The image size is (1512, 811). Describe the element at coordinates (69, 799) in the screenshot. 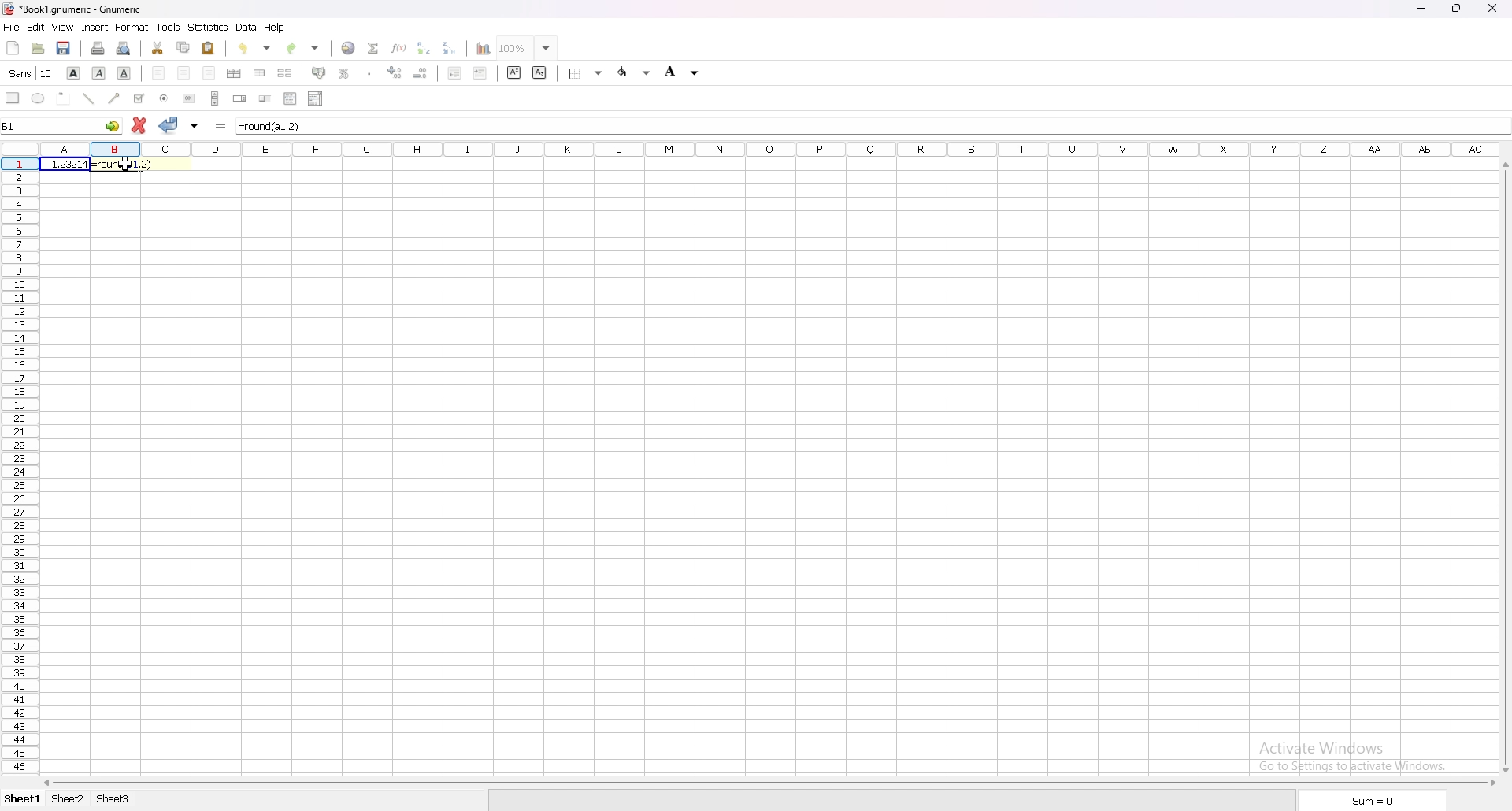

I see `sheet 2` at that location.